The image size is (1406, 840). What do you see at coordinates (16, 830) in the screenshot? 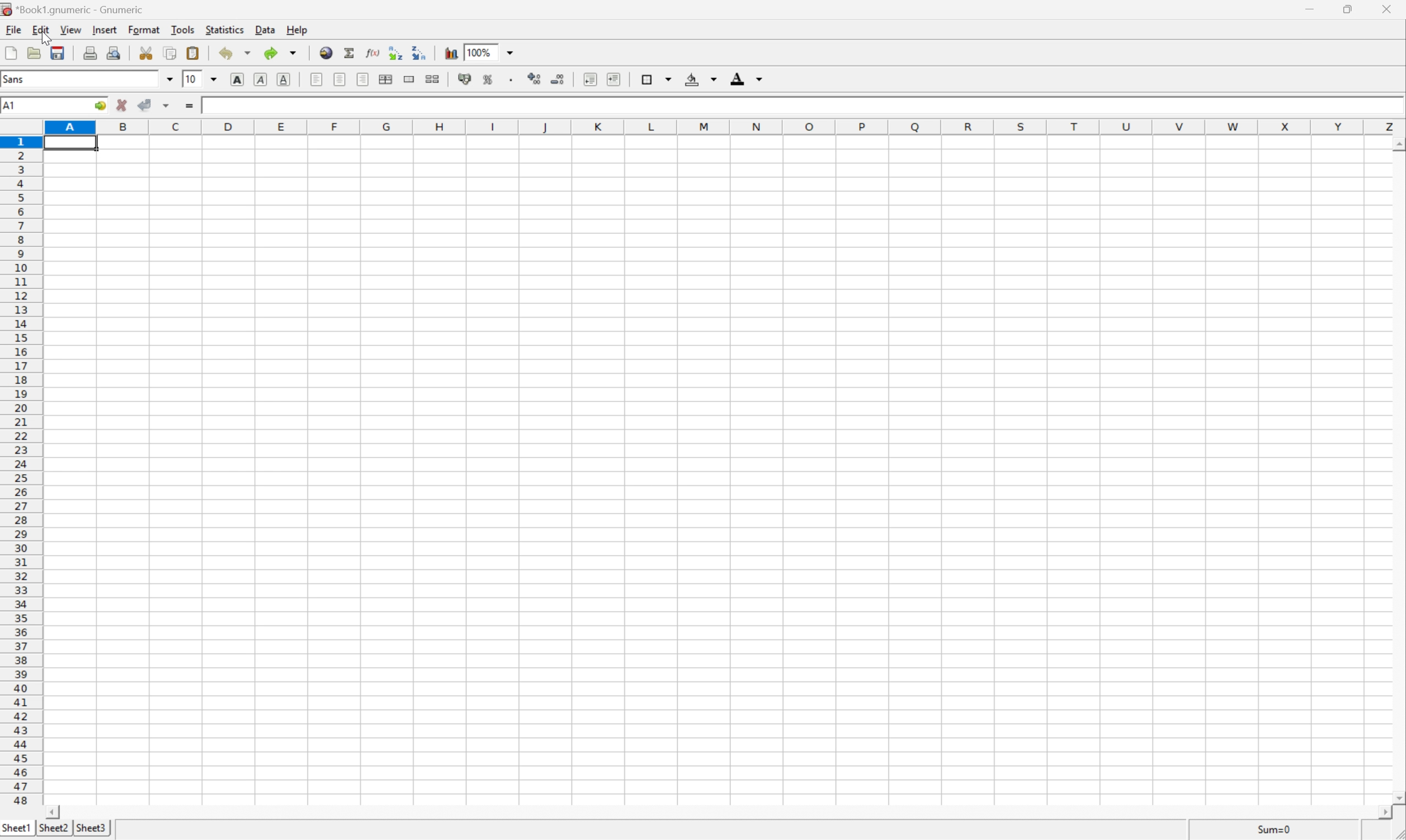
I see `sheet1` at bounding box center [16, 830].